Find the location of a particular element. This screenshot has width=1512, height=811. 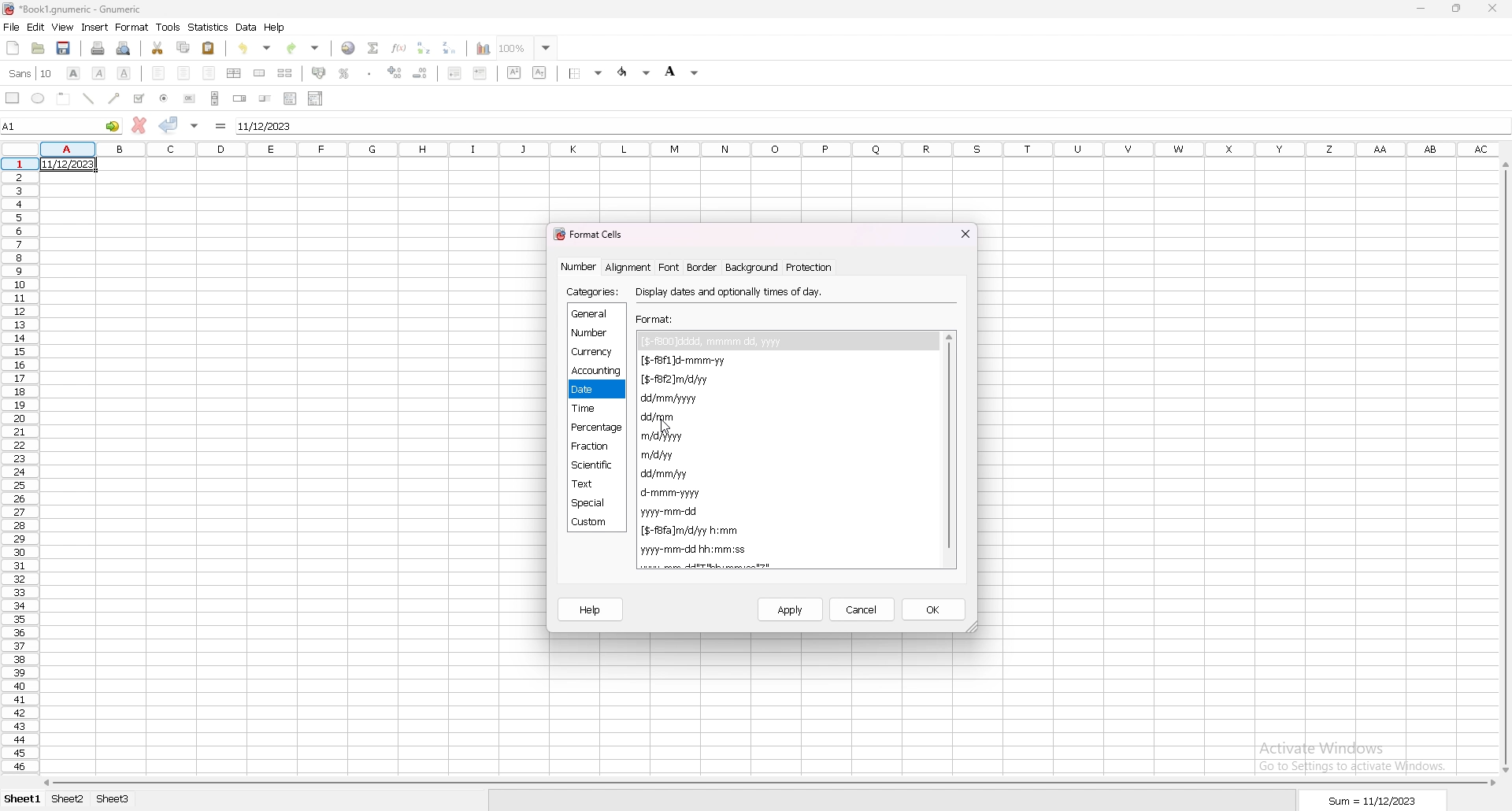

accounting is located at coordinates (319, 72).